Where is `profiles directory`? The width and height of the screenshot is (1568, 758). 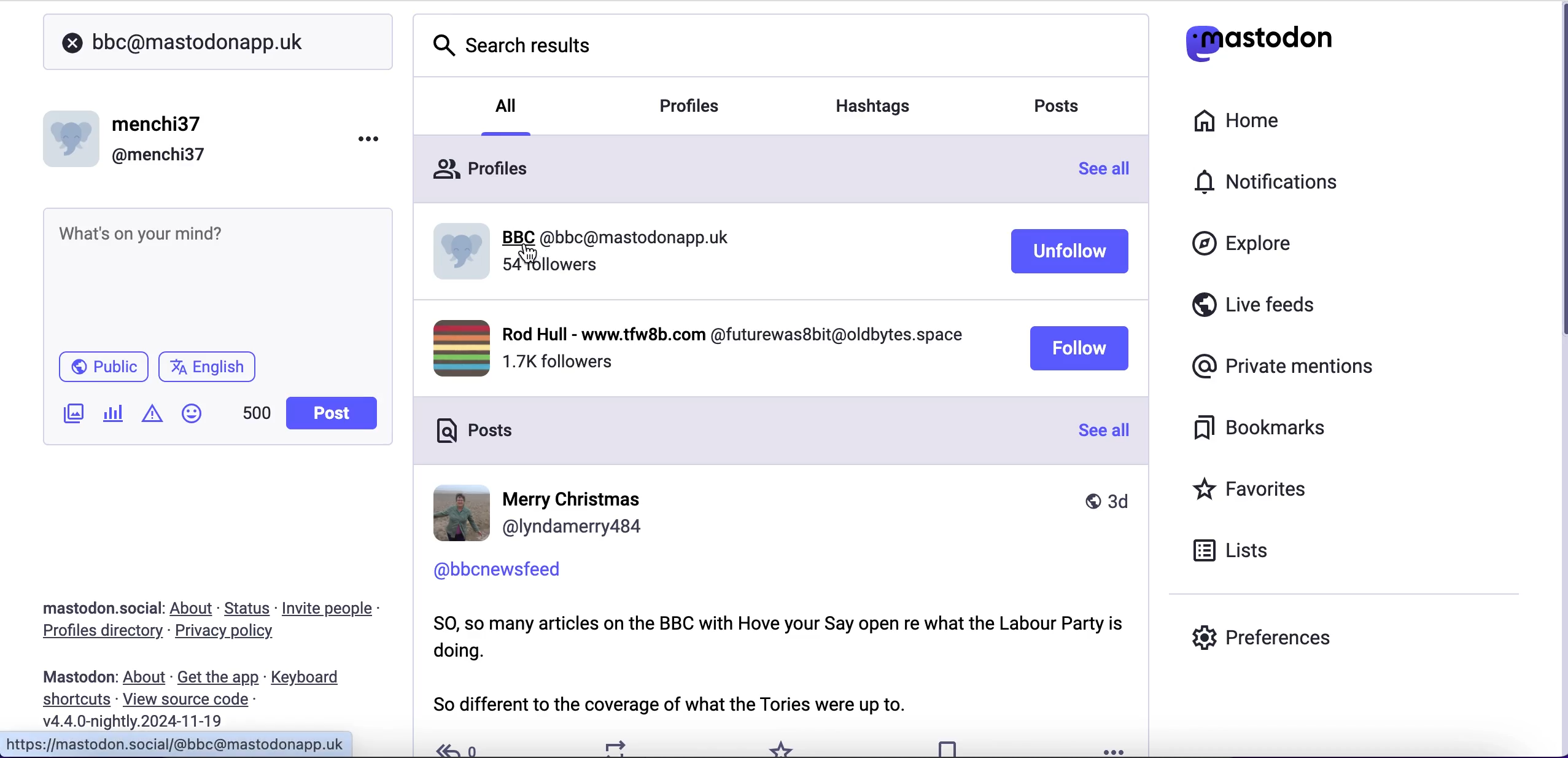 profiles directory is located at coordinates (95, 633).